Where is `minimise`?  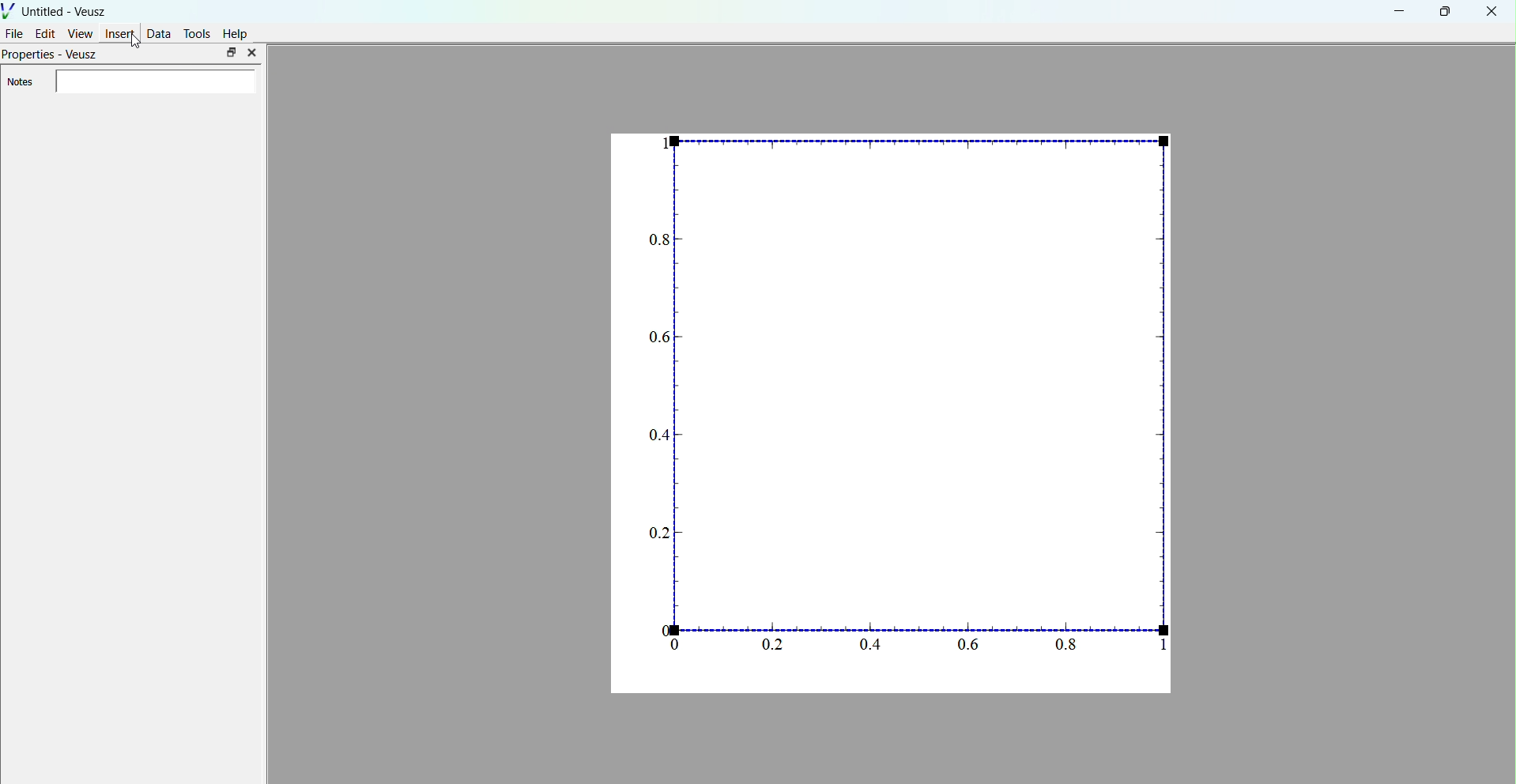
minimise is located at coordinates (1400, 10).